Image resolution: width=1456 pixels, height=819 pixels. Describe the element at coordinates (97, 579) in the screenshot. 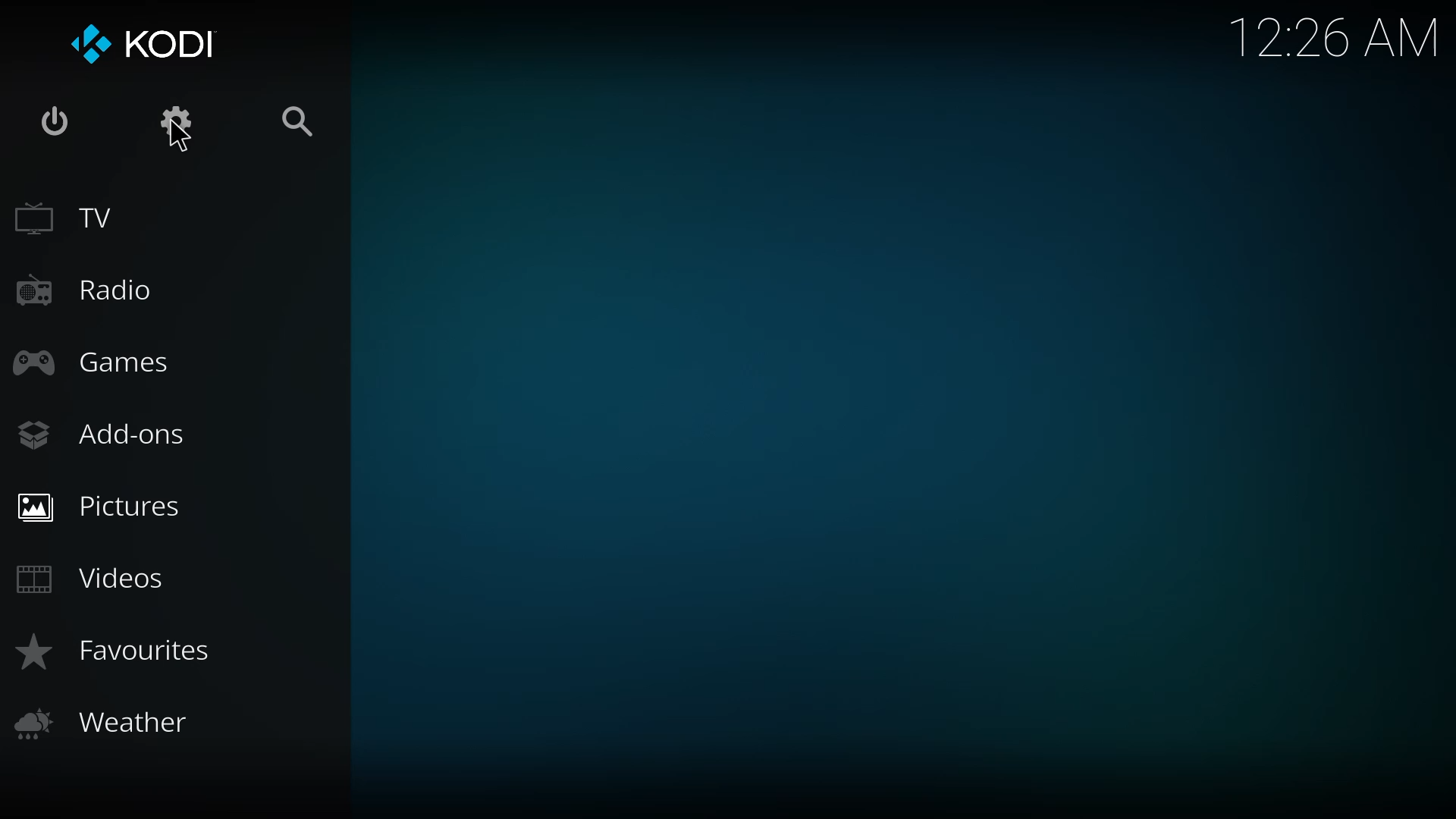

I see `videos` at that location.